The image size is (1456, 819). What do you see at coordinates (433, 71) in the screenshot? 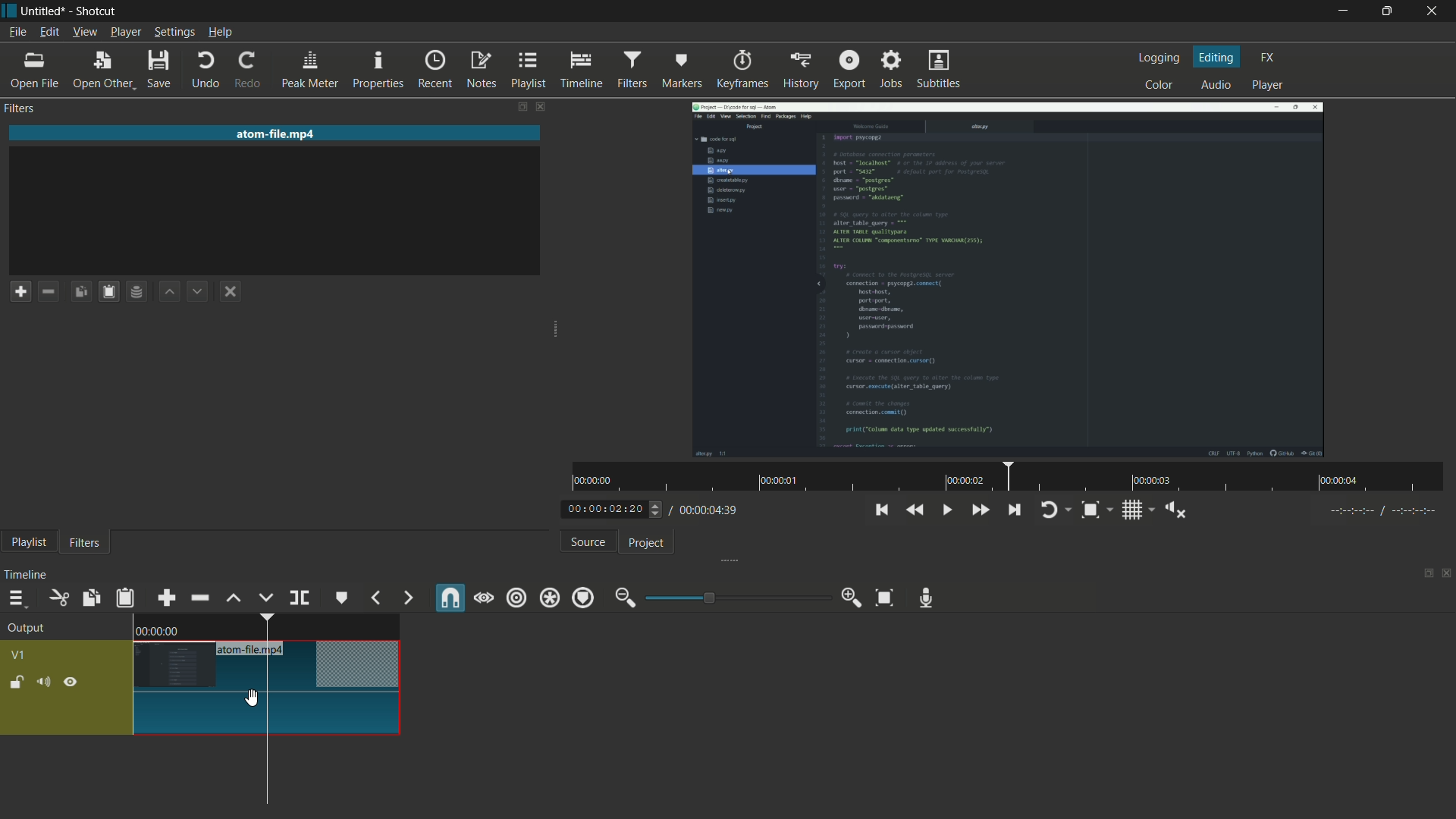
I see `recent` at bounding box center [433, 71].